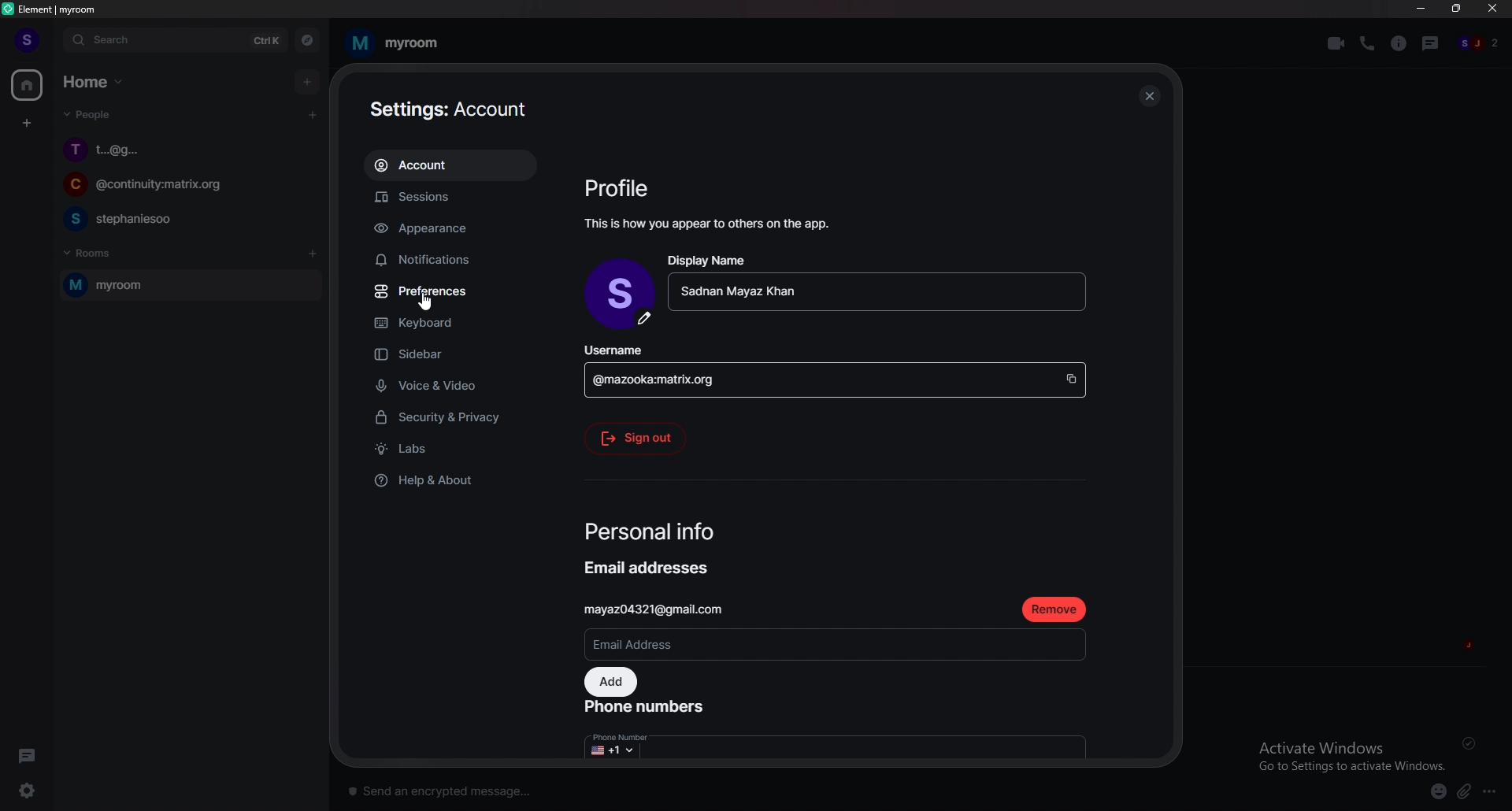 Image resolution: width=1512 pixels, height=811 pixels. I want to click on labs, so click(452, 450).